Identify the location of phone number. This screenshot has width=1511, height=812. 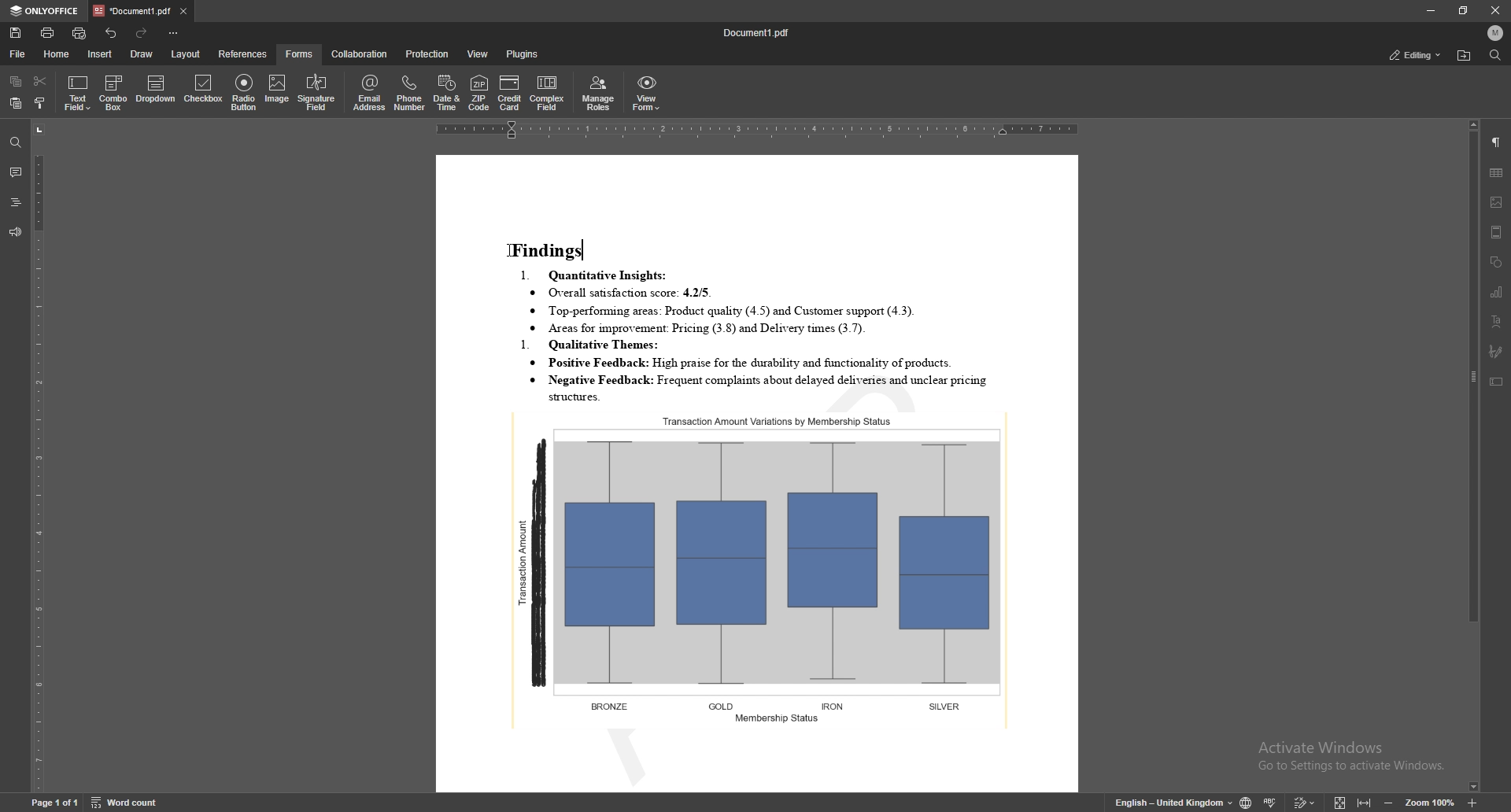
(410, 93).